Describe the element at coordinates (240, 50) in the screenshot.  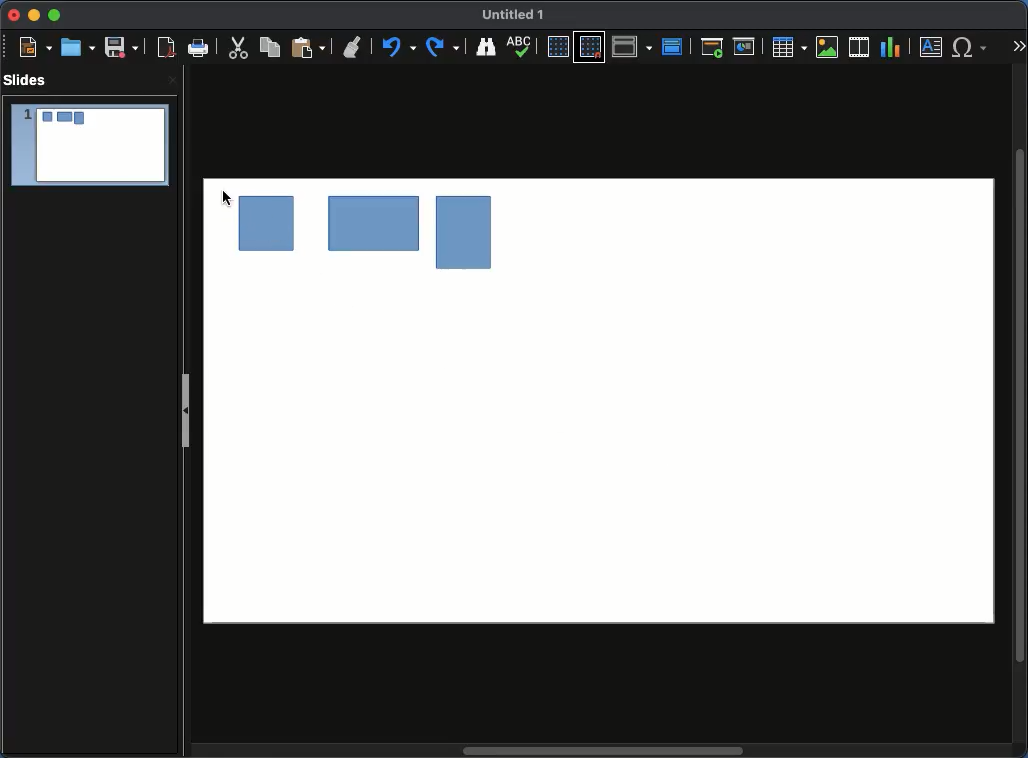
I see `Cute` at that location.